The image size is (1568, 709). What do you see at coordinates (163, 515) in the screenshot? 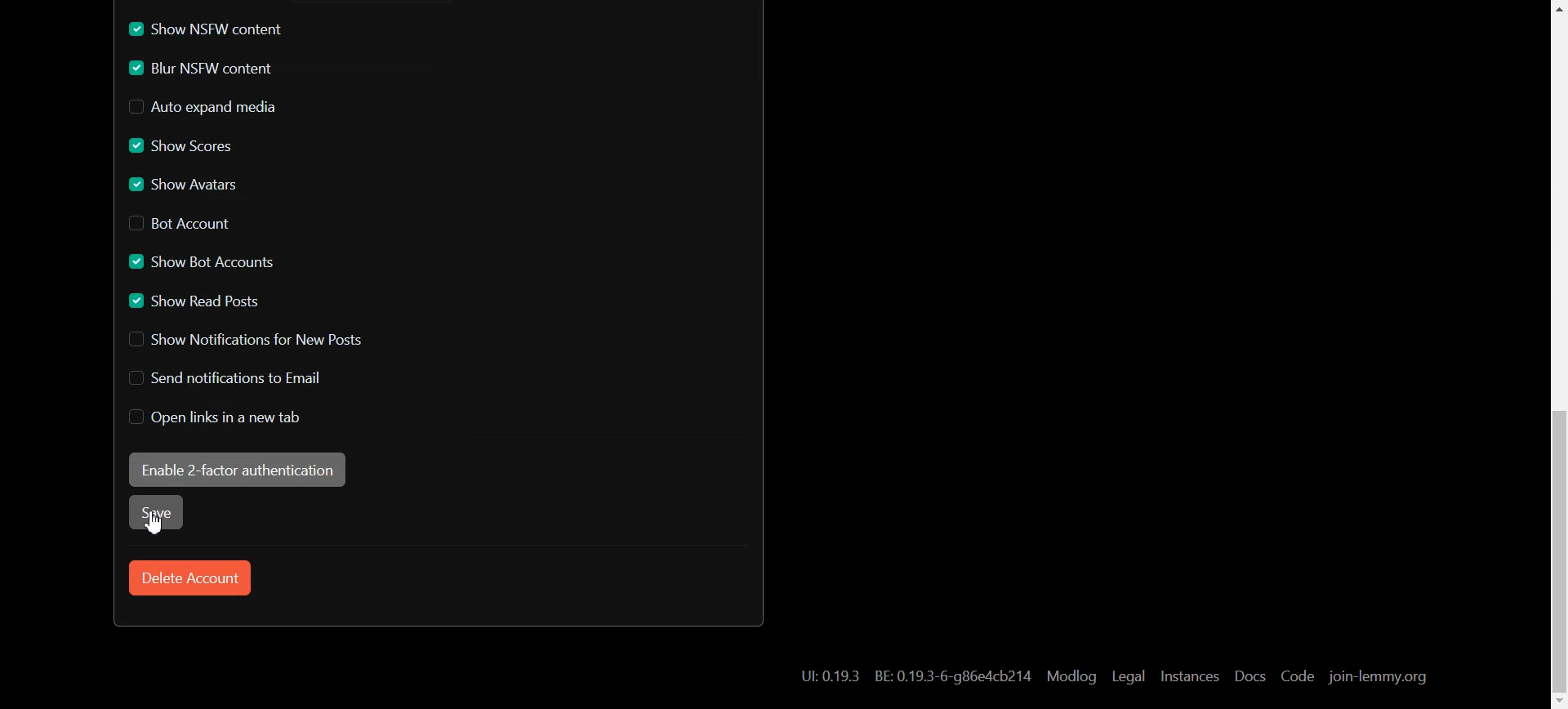
I see `Save` at bounding box center [163, 515].